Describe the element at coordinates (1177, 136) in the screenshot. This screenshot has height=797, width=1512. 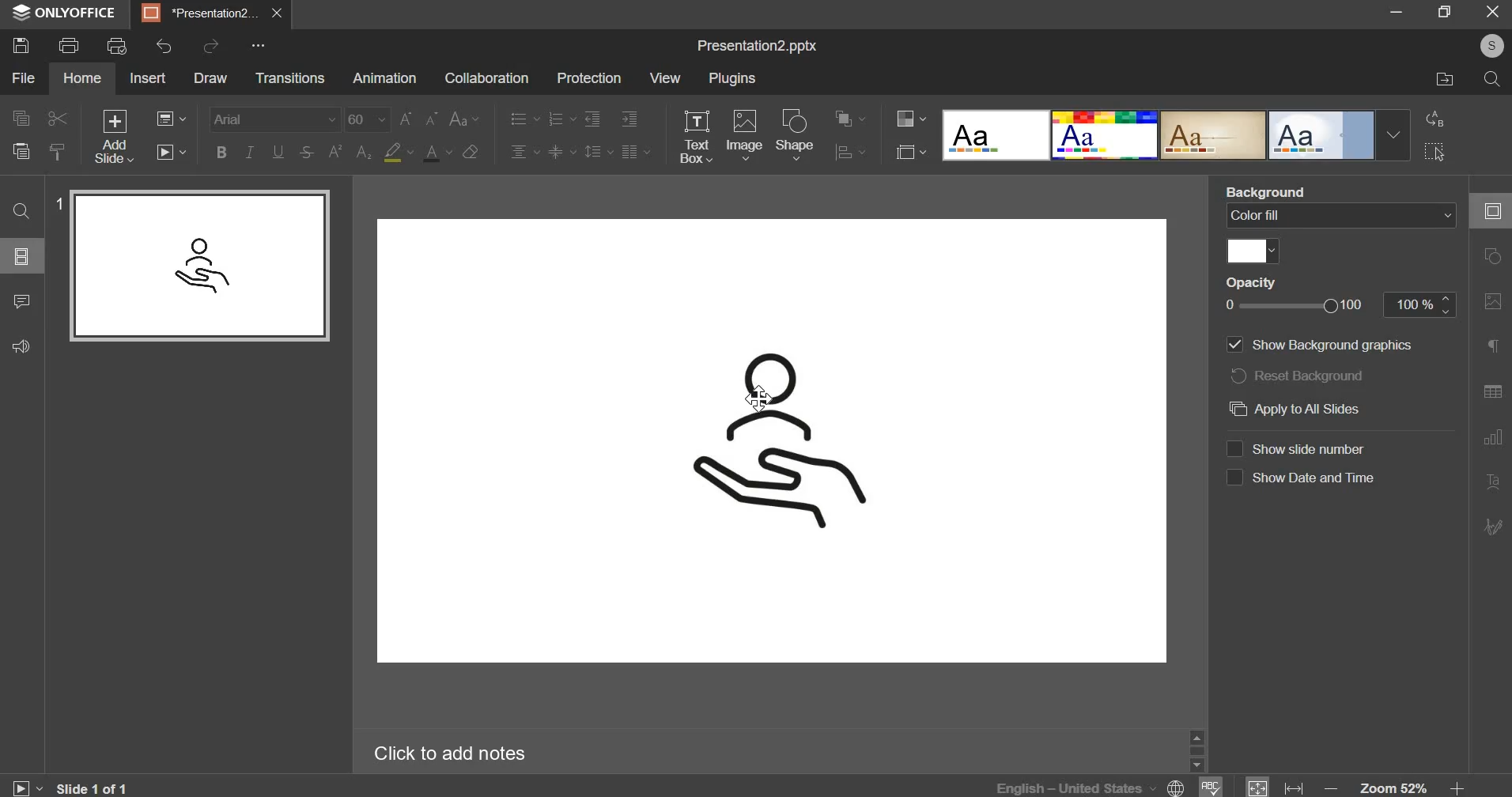
I see `design` at that location.